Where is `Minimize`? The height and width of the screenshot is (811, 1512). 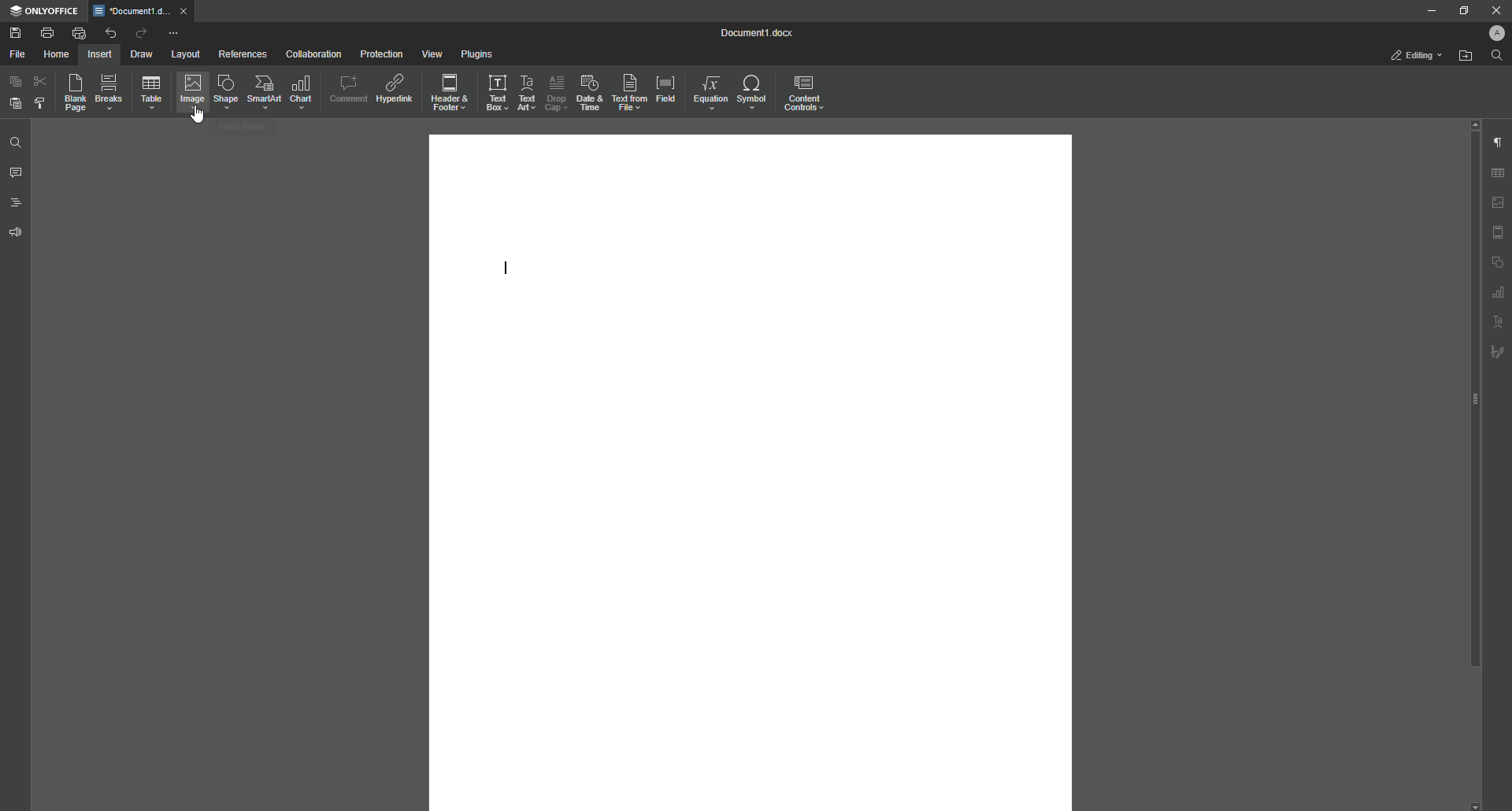
Minimize is located at coordinates (1431, 12).